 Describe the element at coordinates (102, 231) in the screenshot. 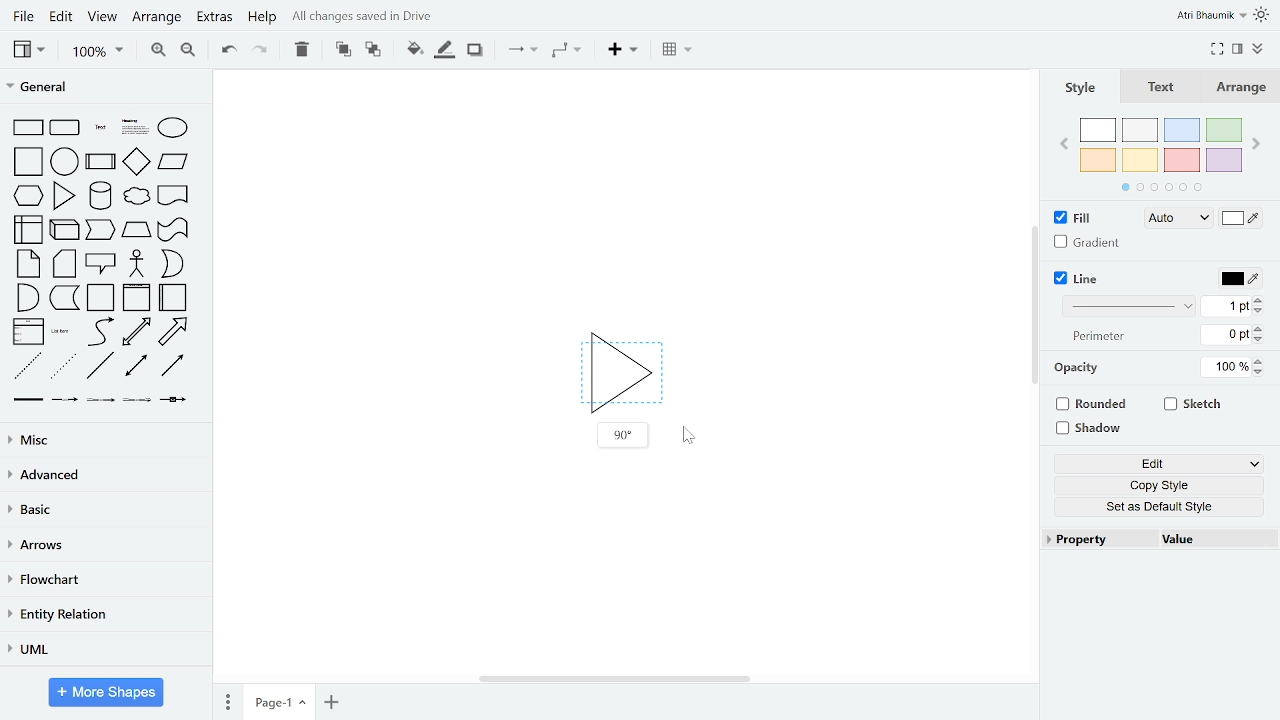

I see `step` at that location.